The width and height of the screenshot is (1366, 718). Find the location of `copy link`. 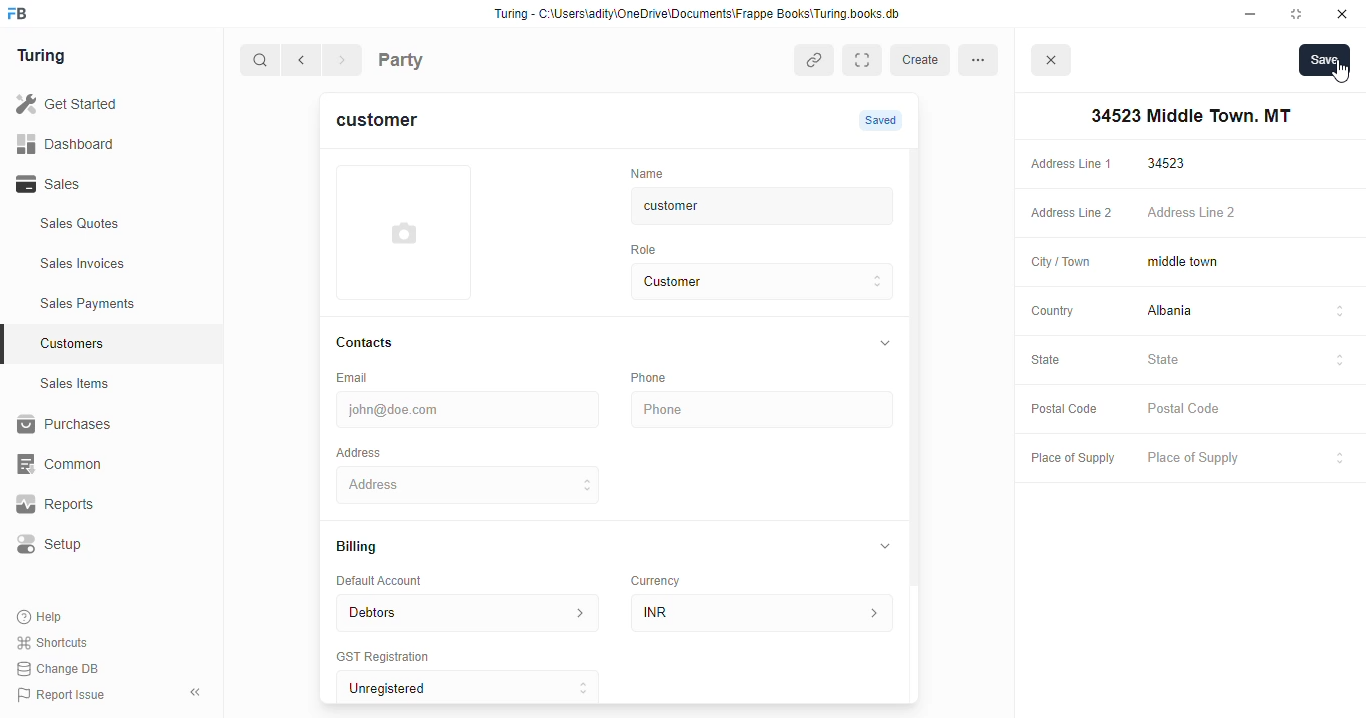

copy link is located at coordinates (816, 62).